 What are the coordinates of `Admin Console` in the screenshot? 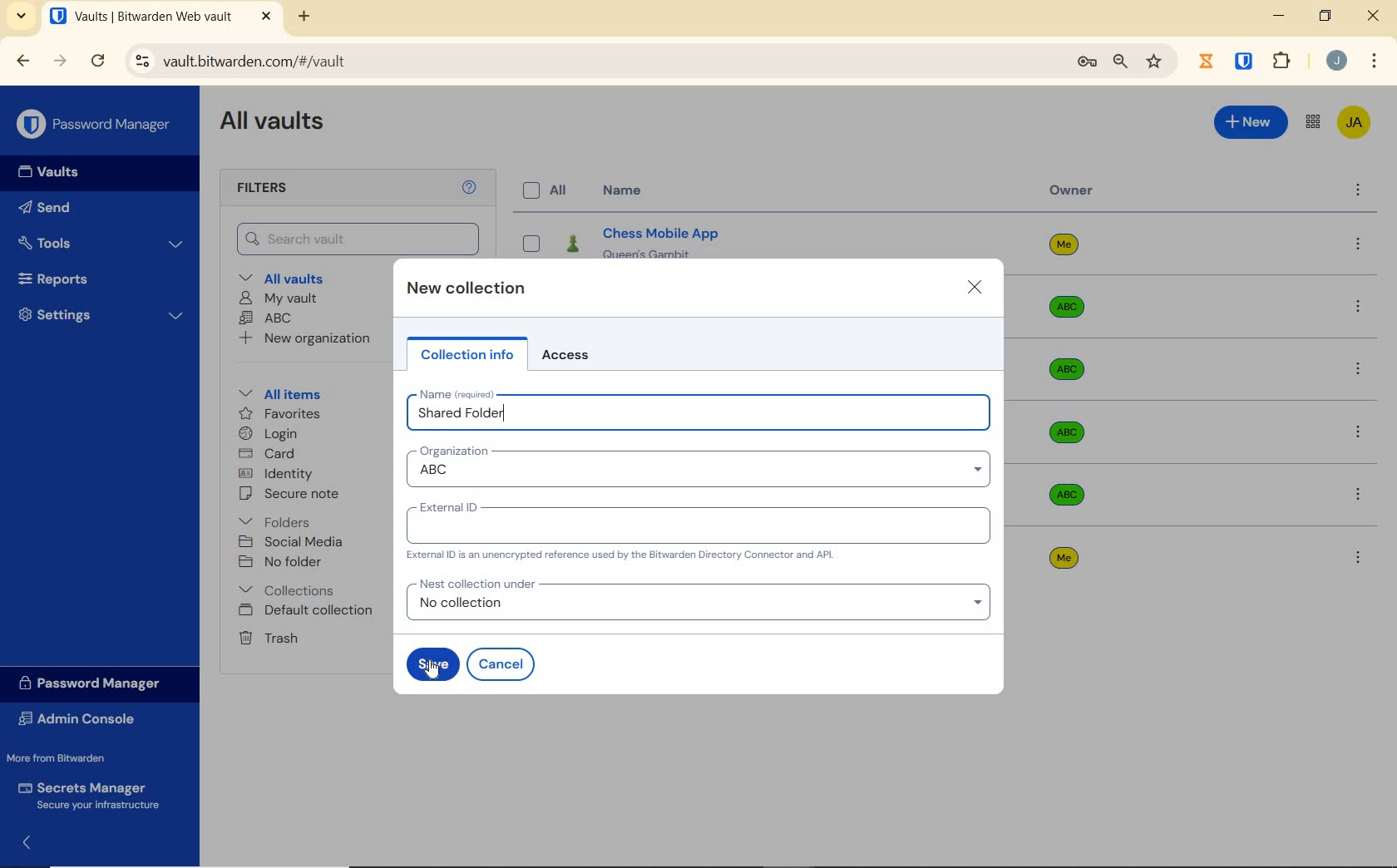 It's located at (82, 721).